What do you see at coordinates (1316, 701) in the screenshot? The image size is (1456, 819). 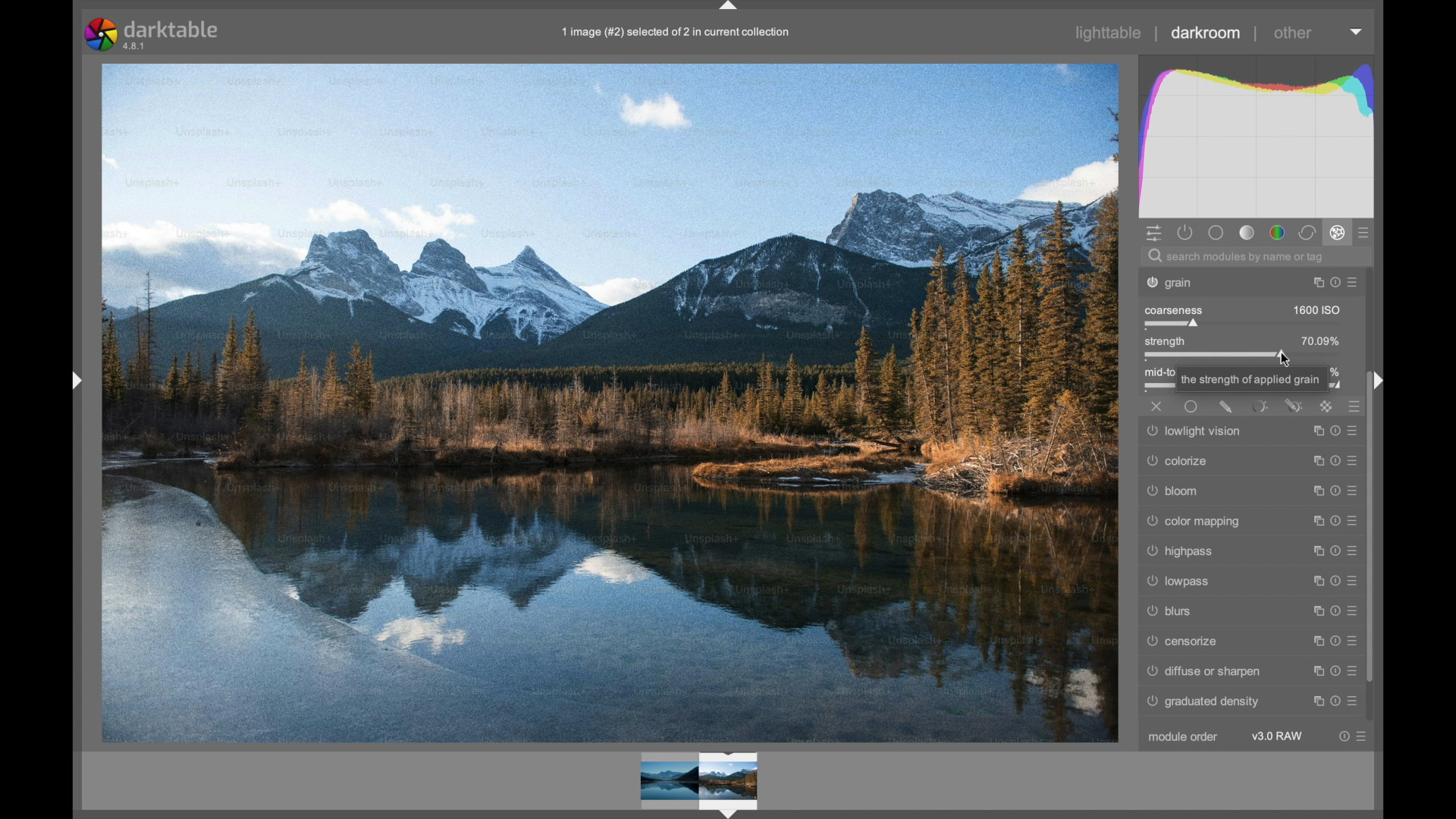 I see `instance` at bounding box center [1316, 701].